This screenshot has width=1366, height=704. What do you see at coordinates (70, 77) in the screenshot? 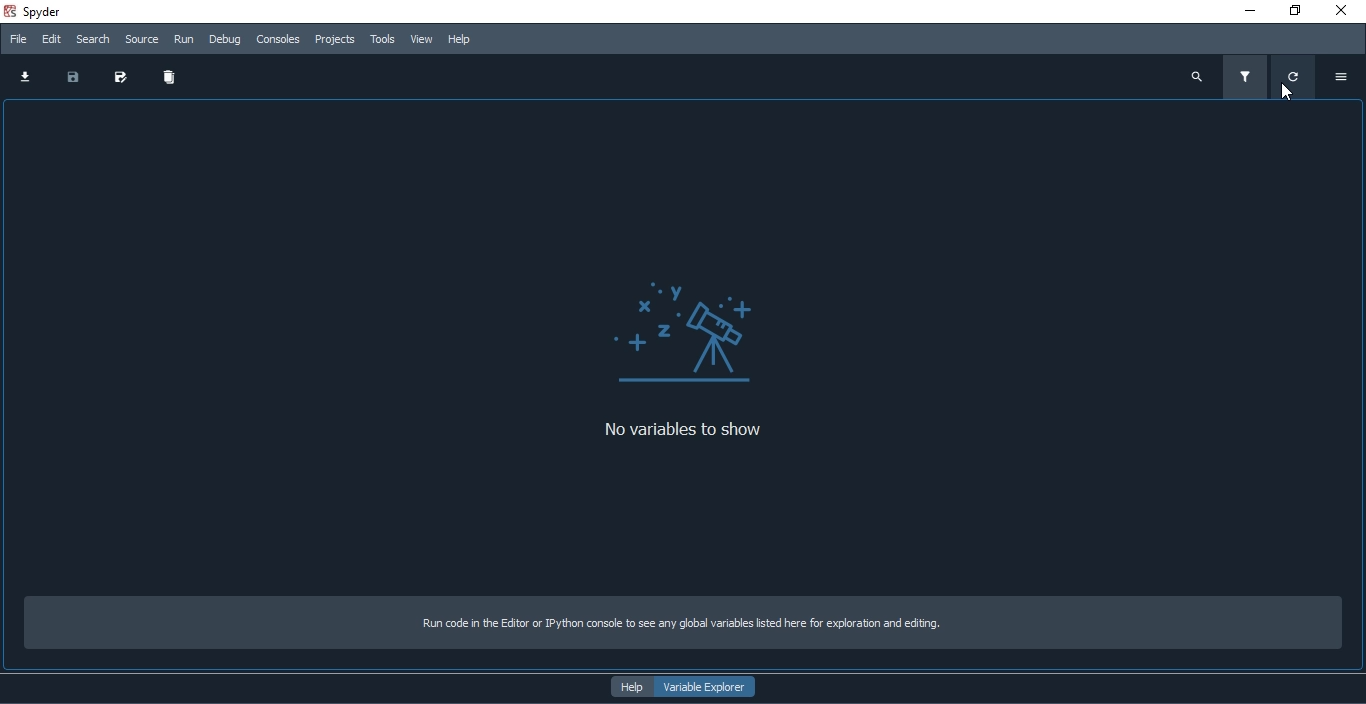
I see `save` at bounding box center [70, 77].